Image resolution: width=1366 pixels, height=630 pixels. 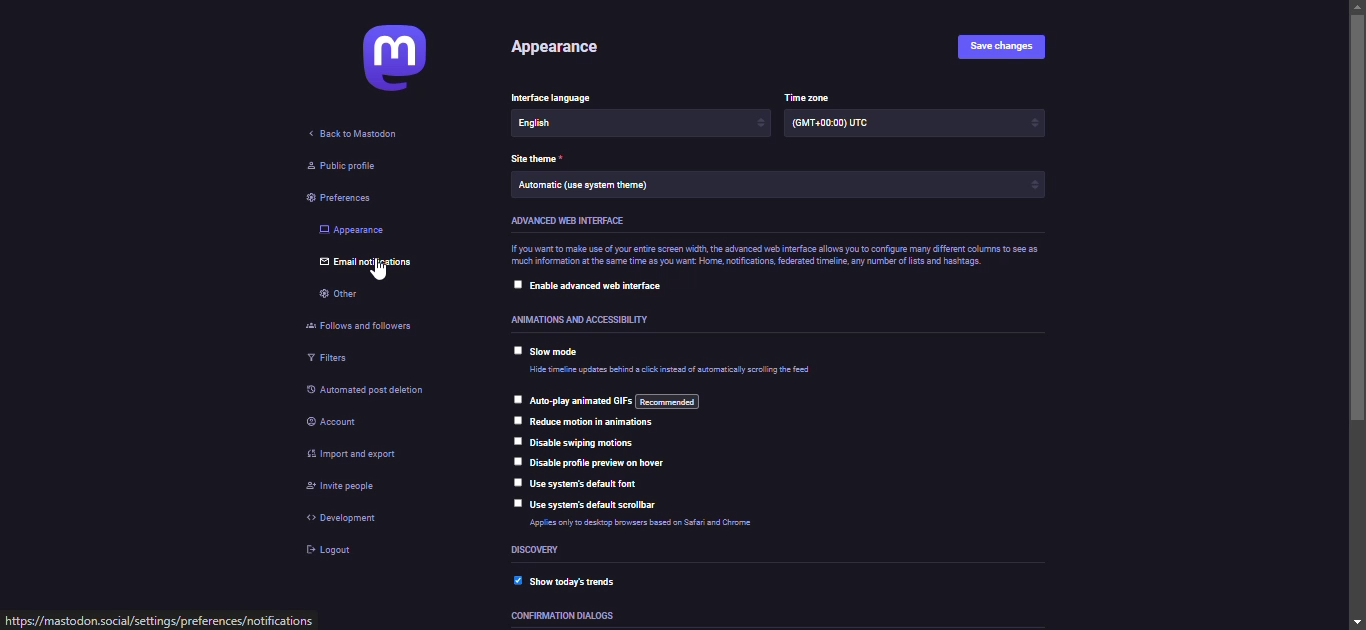 I want to click on cursor, so click(x=381, y=273).